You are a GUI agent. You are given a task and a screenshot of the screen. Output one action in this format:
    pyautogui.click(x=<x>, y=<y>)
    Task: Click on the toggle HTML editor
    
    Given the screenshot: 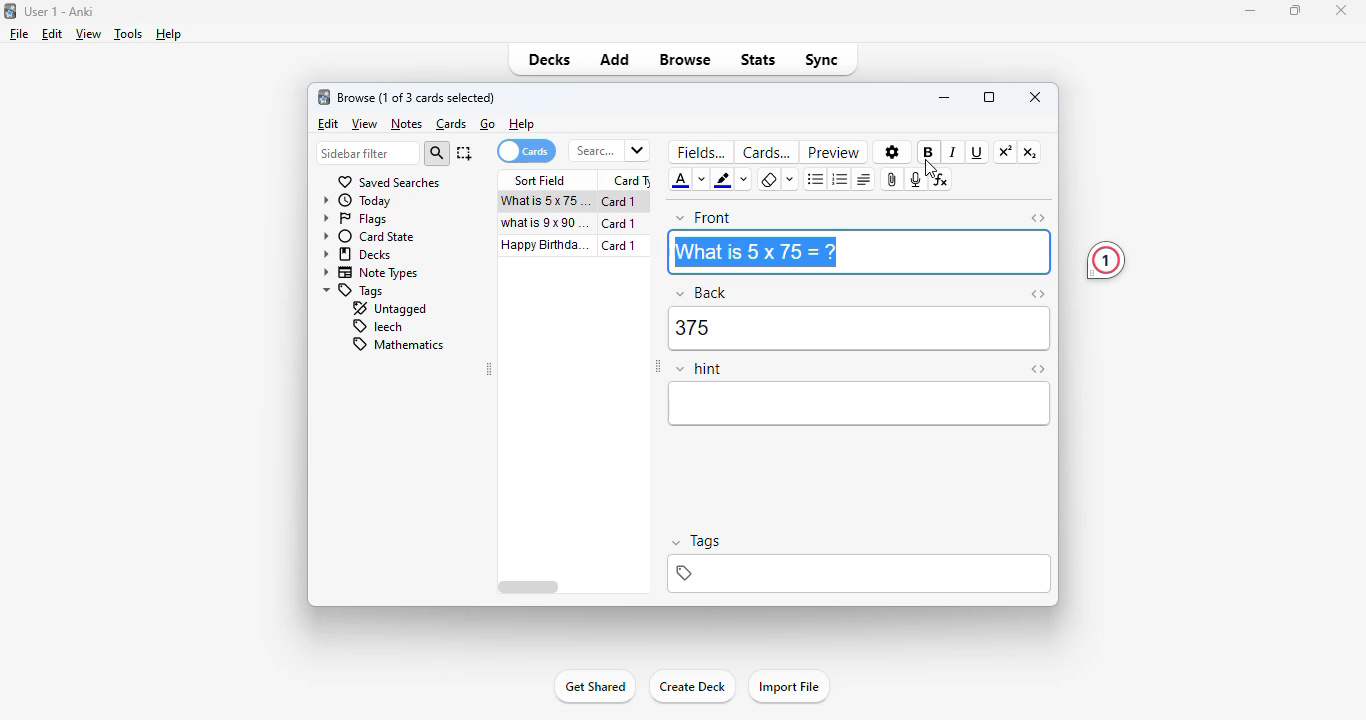 What is the action you would take?
    pyautogui.click(x=1038, y=218)
    